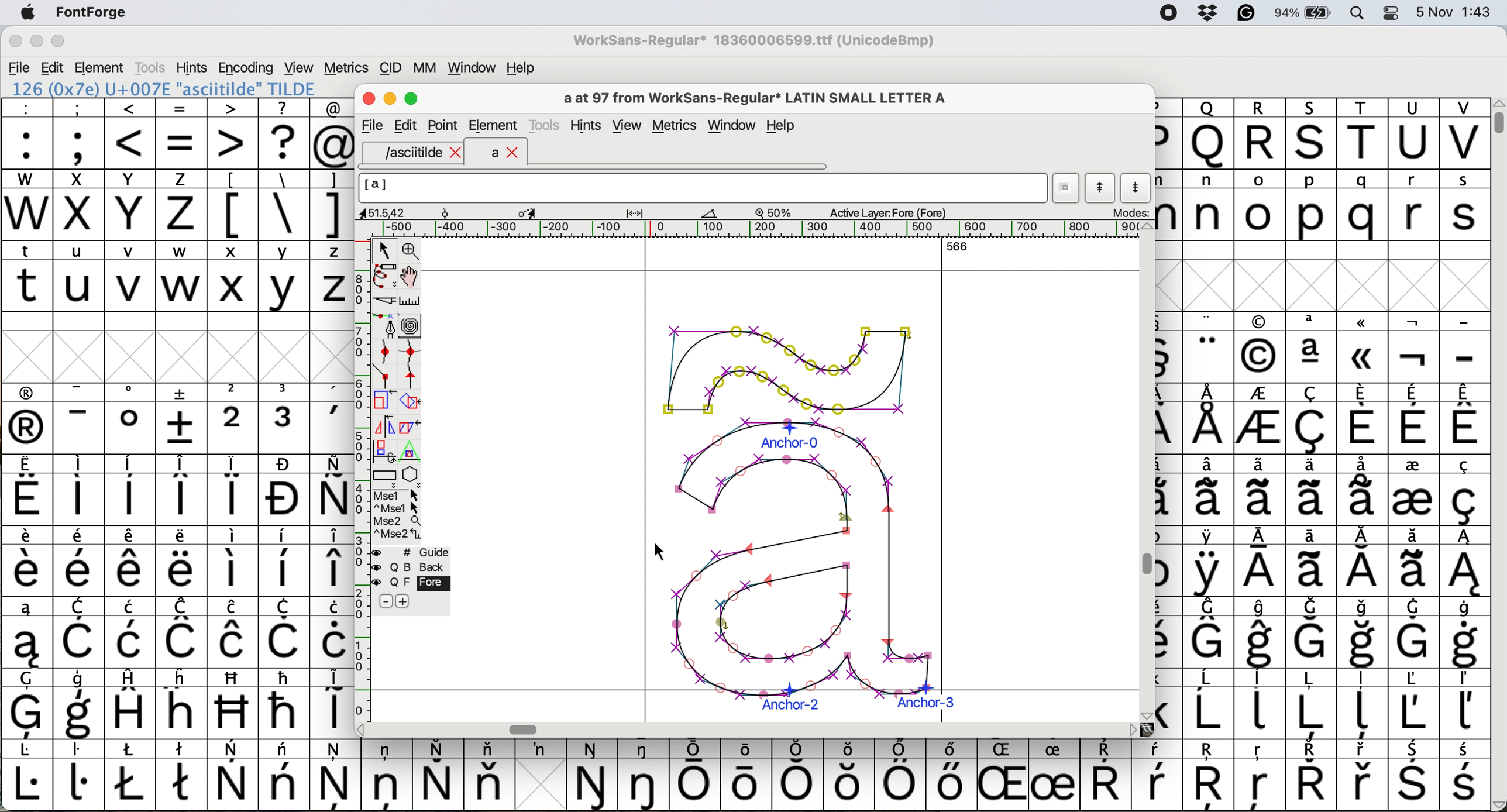 Image resolution: width=1507 pixels, height=812 pixels. What do you see at coordinates (957, 246) in the screenshot?
I see `566` at bounding box center [957, 246].